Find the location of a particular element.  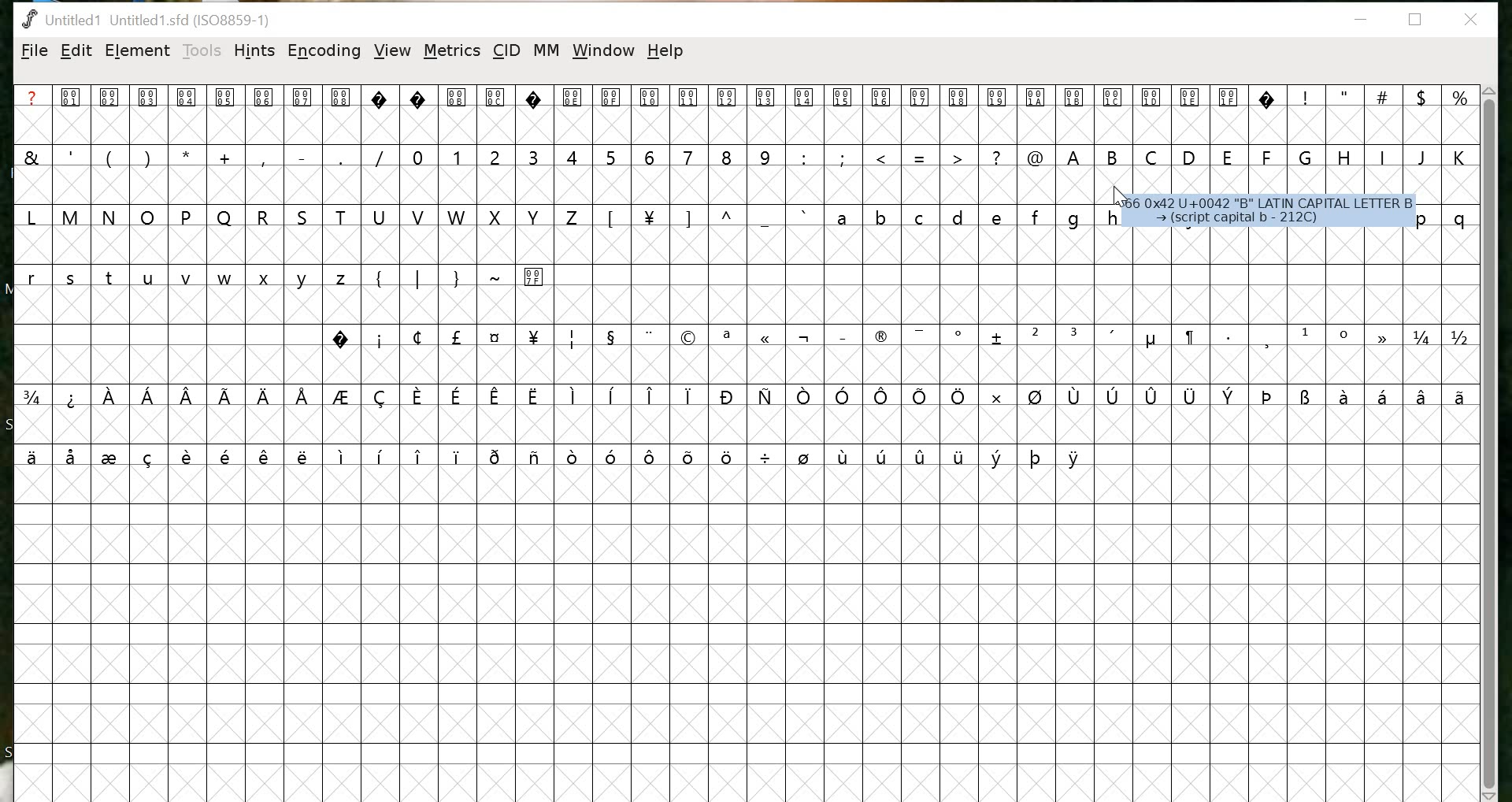

minimize is located at coordinates (1366, 20).